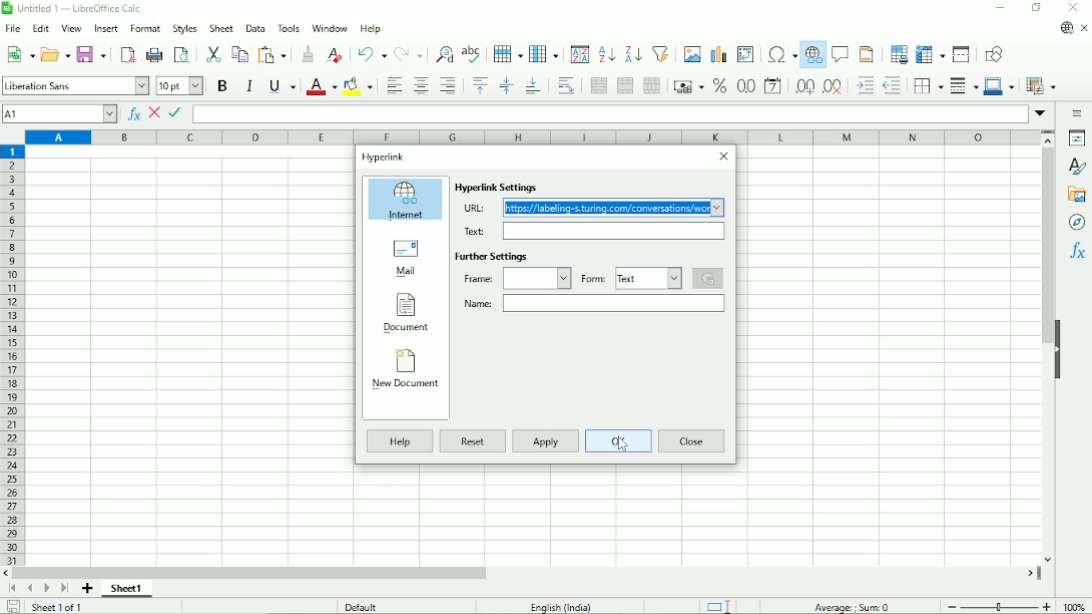 Image resolution: width=1092 pixels, height=614 pixels. I want to click on Redo, so click(410, 55).